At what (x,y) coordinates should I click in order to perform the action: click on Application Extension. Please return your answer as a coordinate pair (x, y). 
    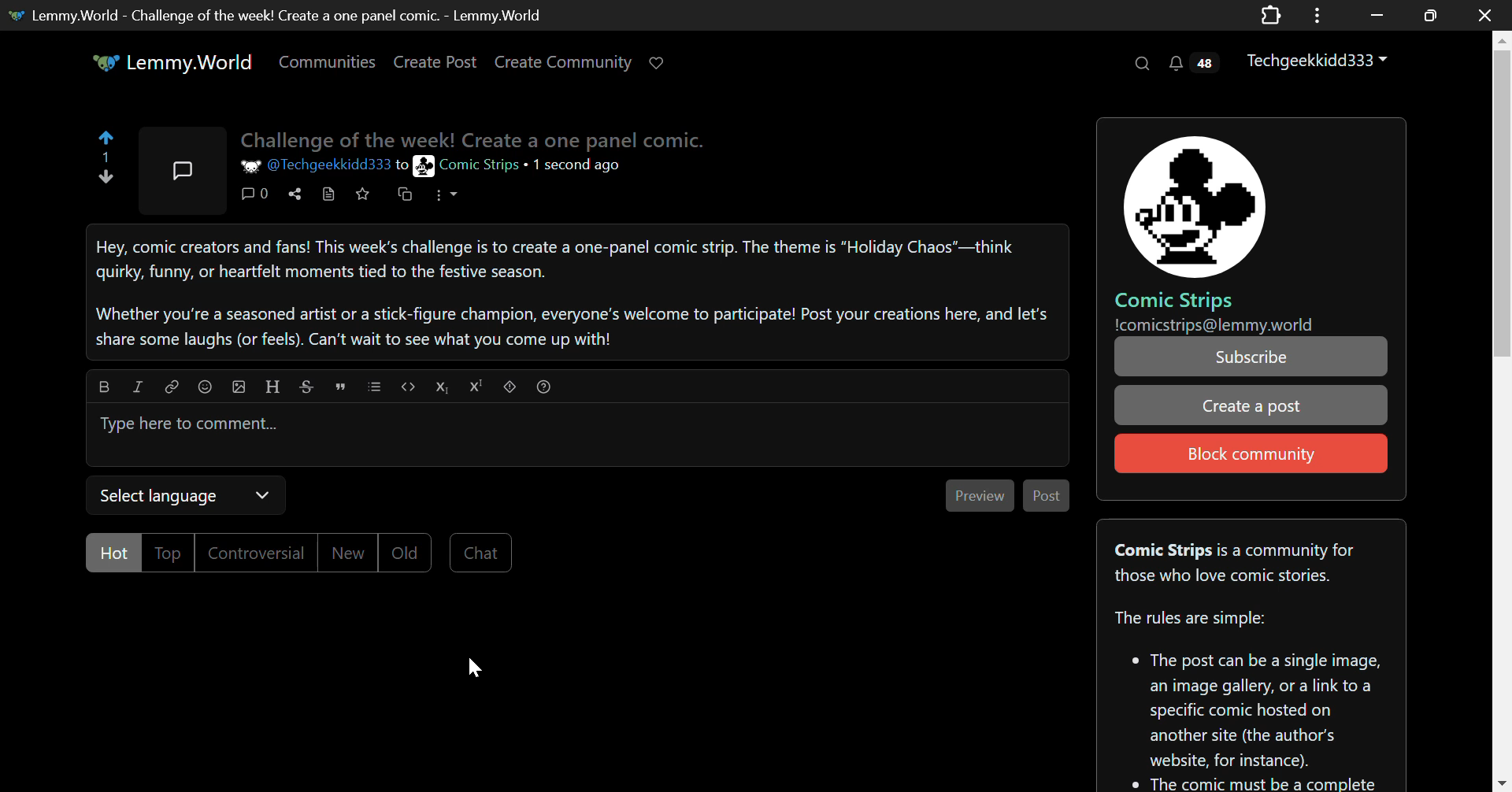
    Looking at the image, I should click on (1274, 13).